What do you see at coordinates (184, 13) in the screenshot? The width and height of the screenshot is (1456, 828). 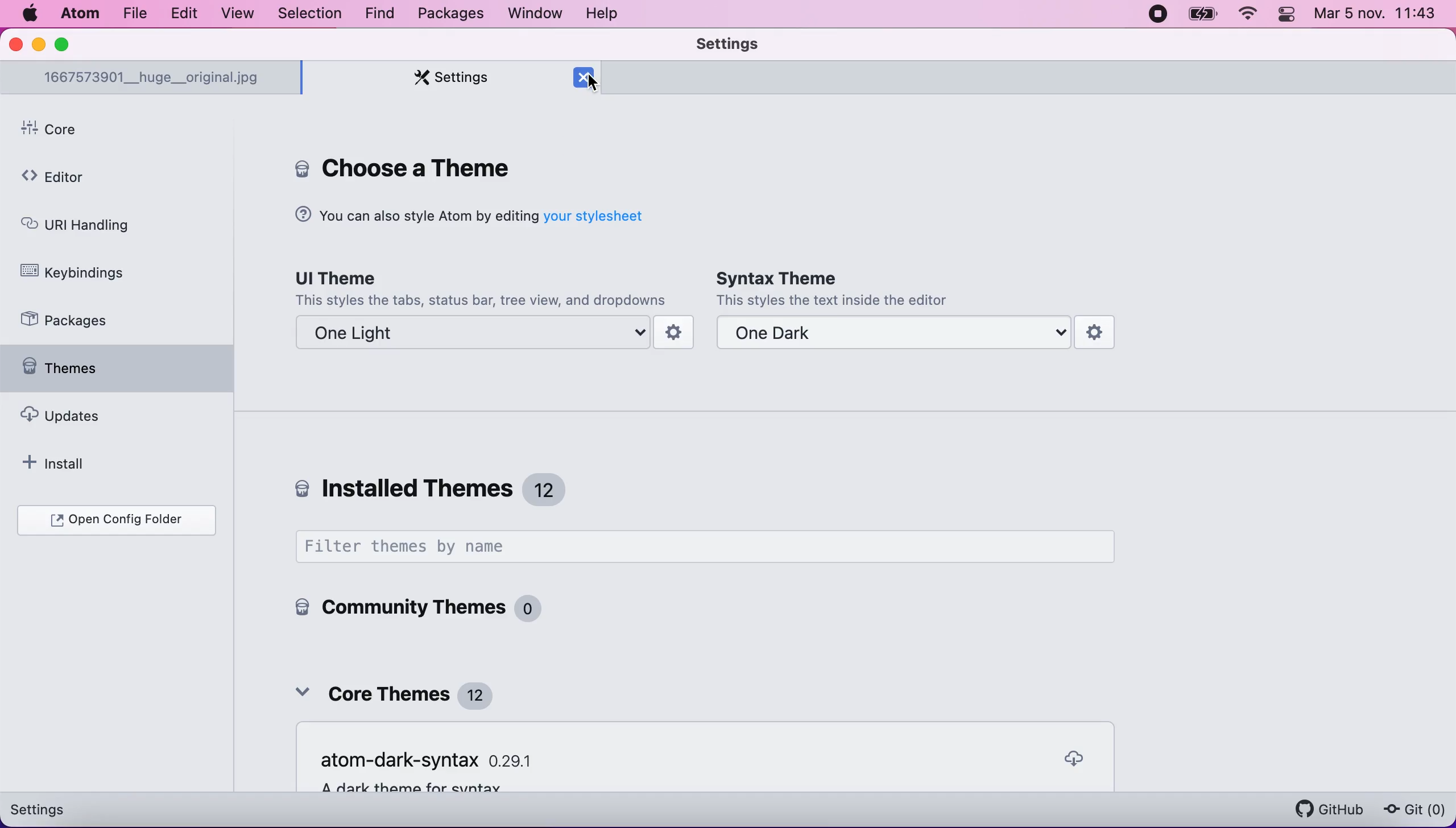 I see `edit` at bounding box center [184, 13].